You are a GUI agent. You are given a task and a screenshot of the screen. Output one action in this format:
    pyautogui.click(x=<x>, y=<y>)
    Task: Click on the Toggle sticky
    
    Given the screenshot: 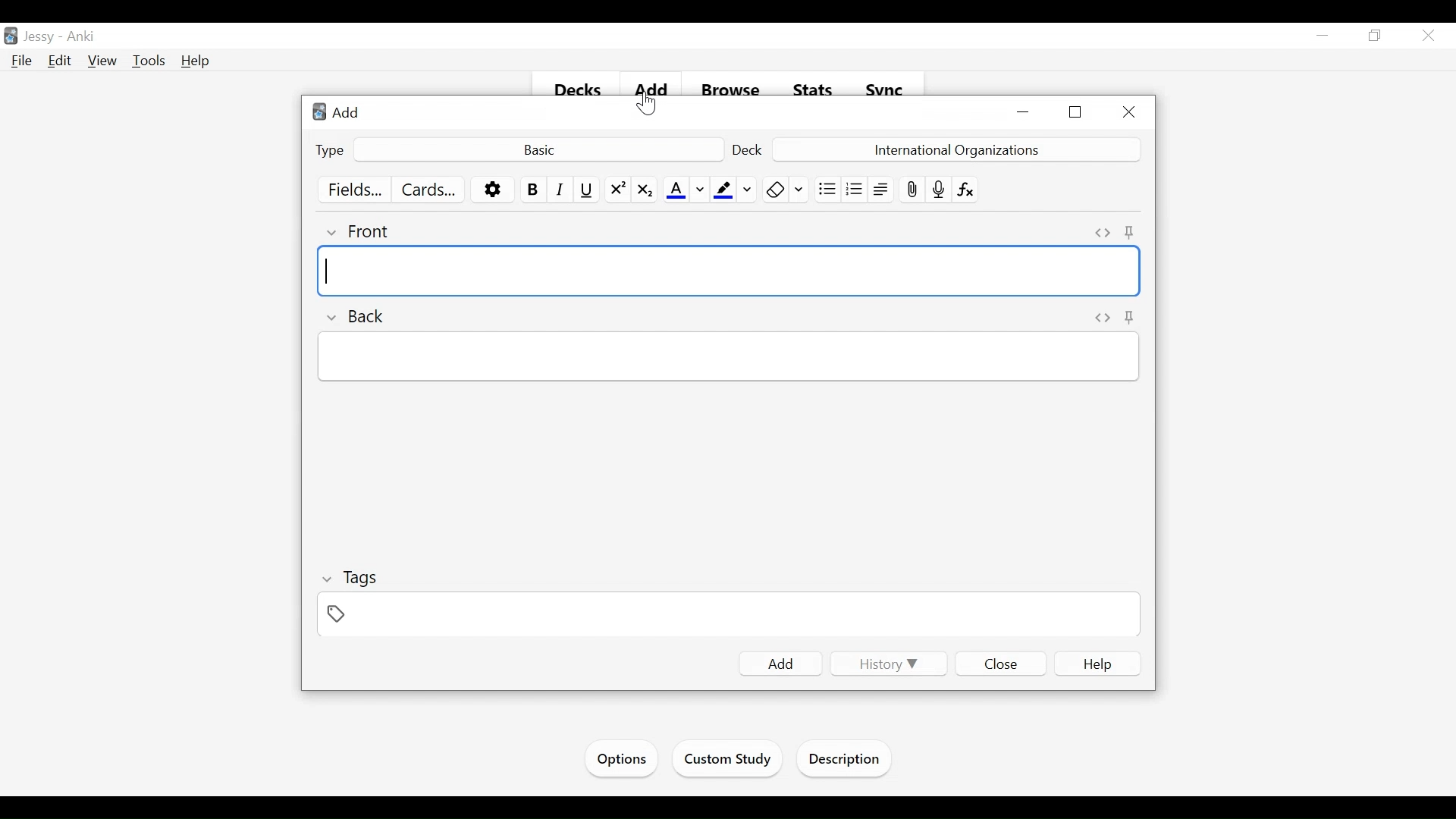 What is the action you would take?
    pyautogui.click(x=1132, y=232)
    